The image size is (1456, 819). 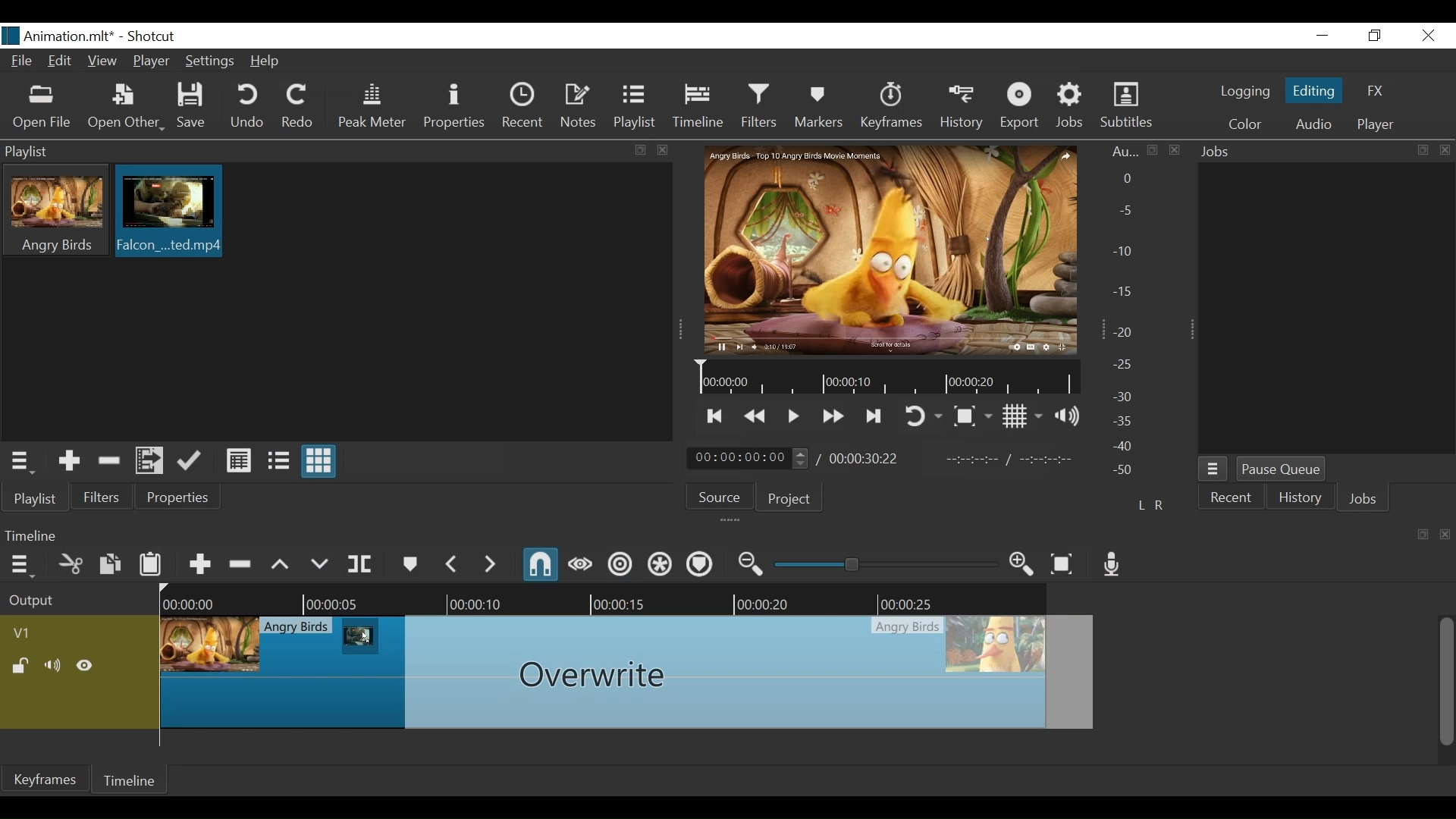 What do you see at coordinates (179, 497) in the screenshot?
I see `Properties` at bounding box center [179, 497].